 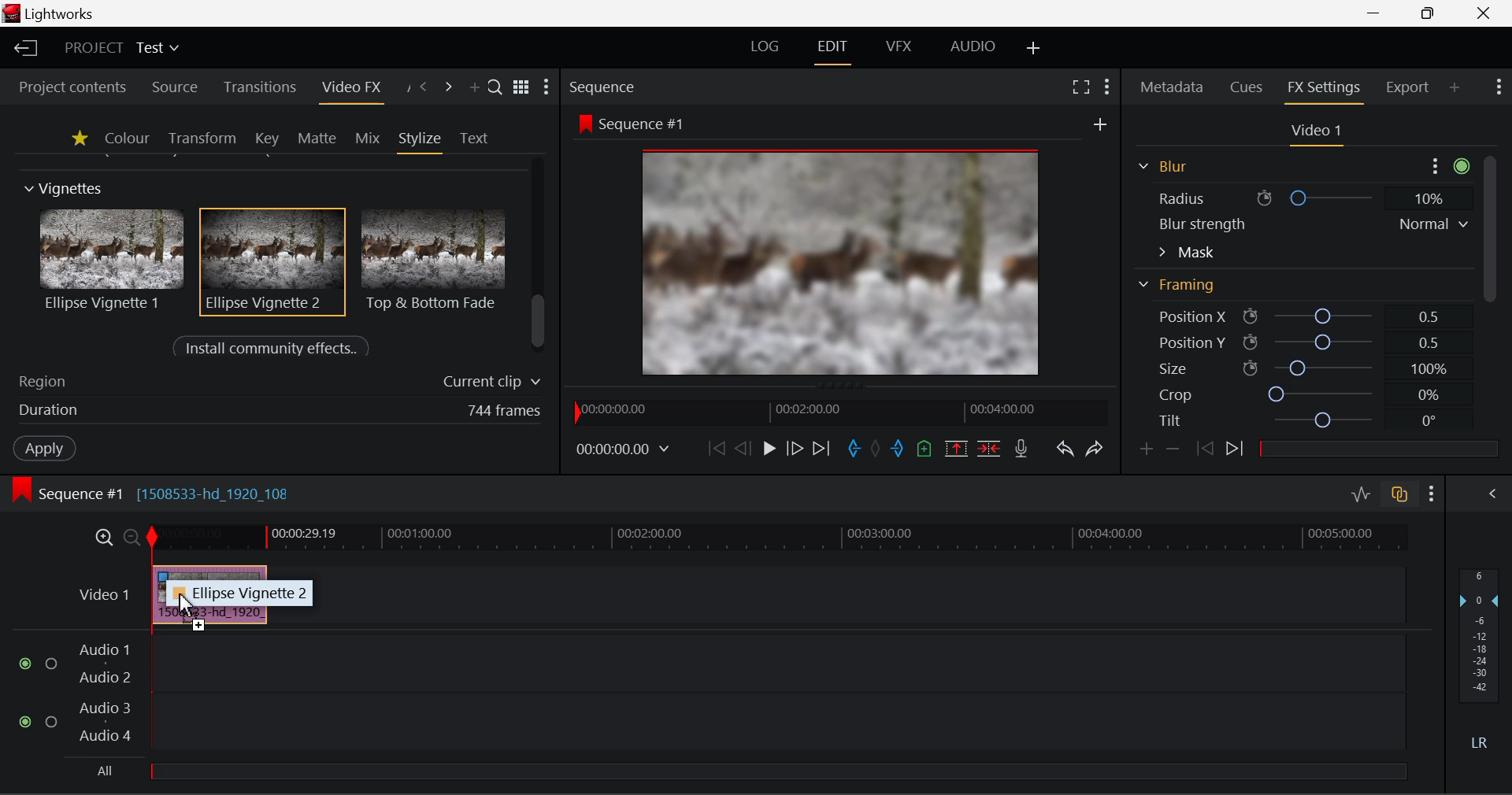 I want to click on To End, so click(x=823, y=446).